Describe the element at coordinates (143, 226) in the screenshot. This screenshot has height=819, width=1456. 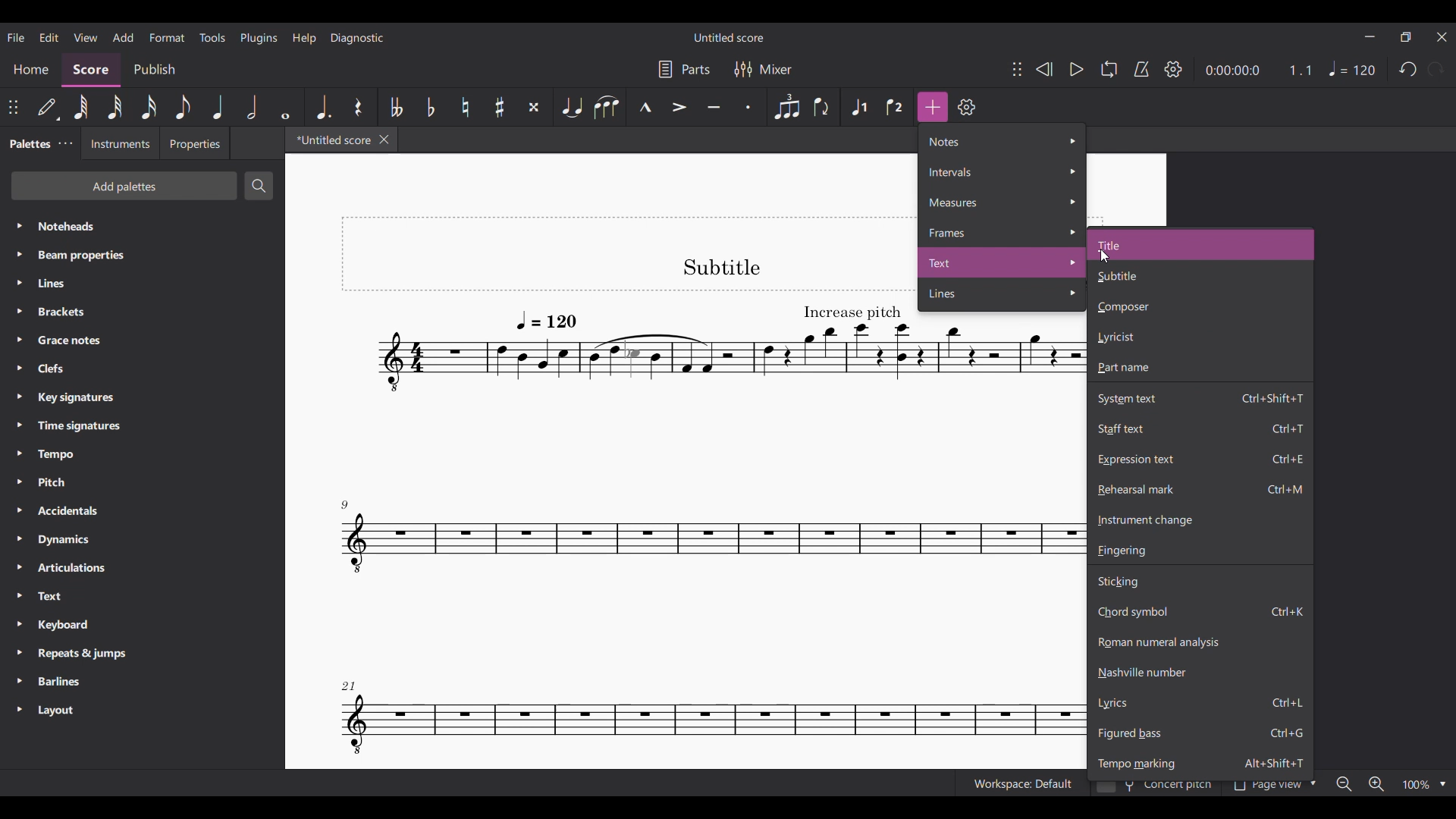
I see `Noteheads` at that location.